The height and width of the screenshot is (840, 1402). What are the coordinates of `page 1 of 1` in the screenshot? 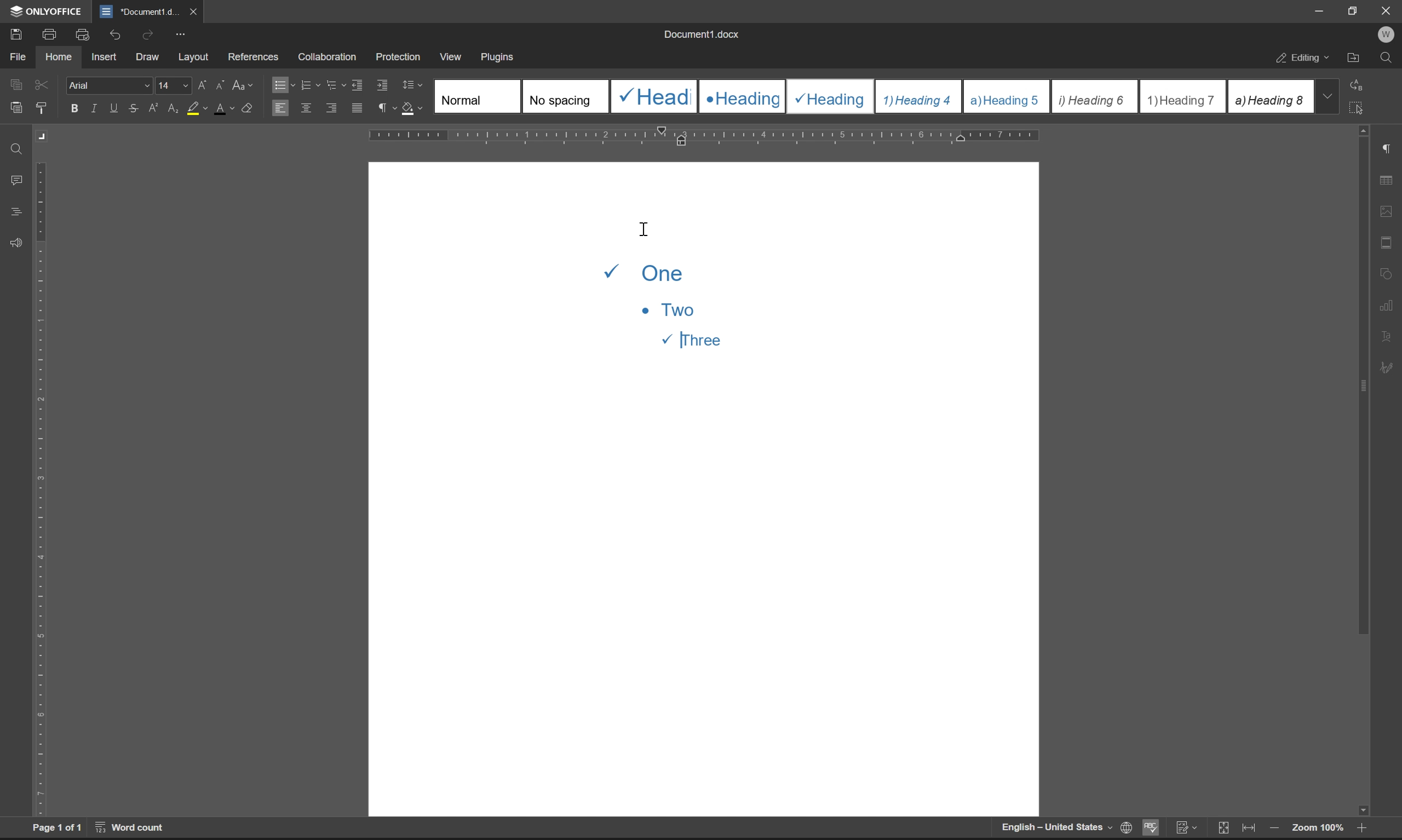 It's located at (57, 828).